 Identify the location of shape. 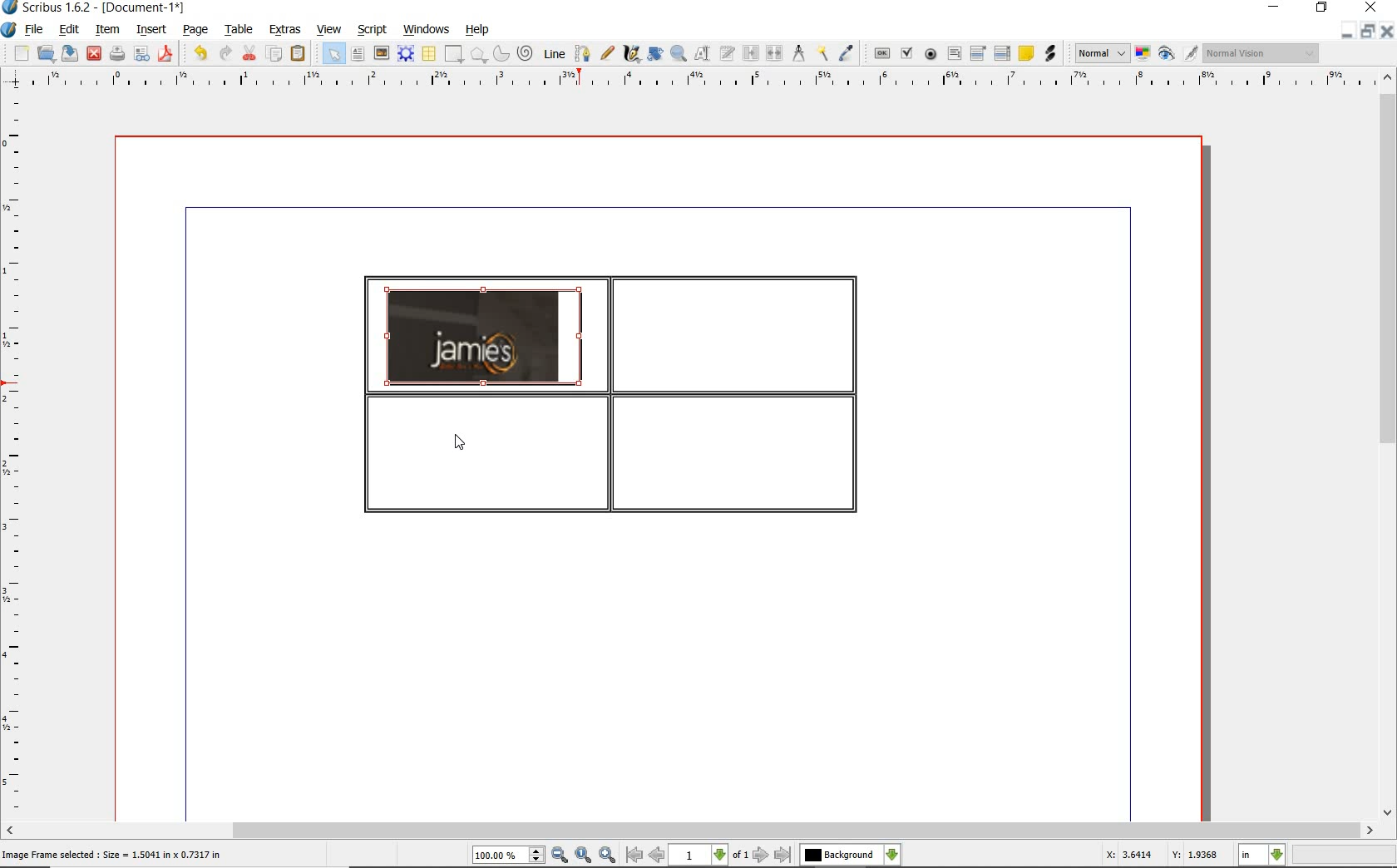
(479, 56).